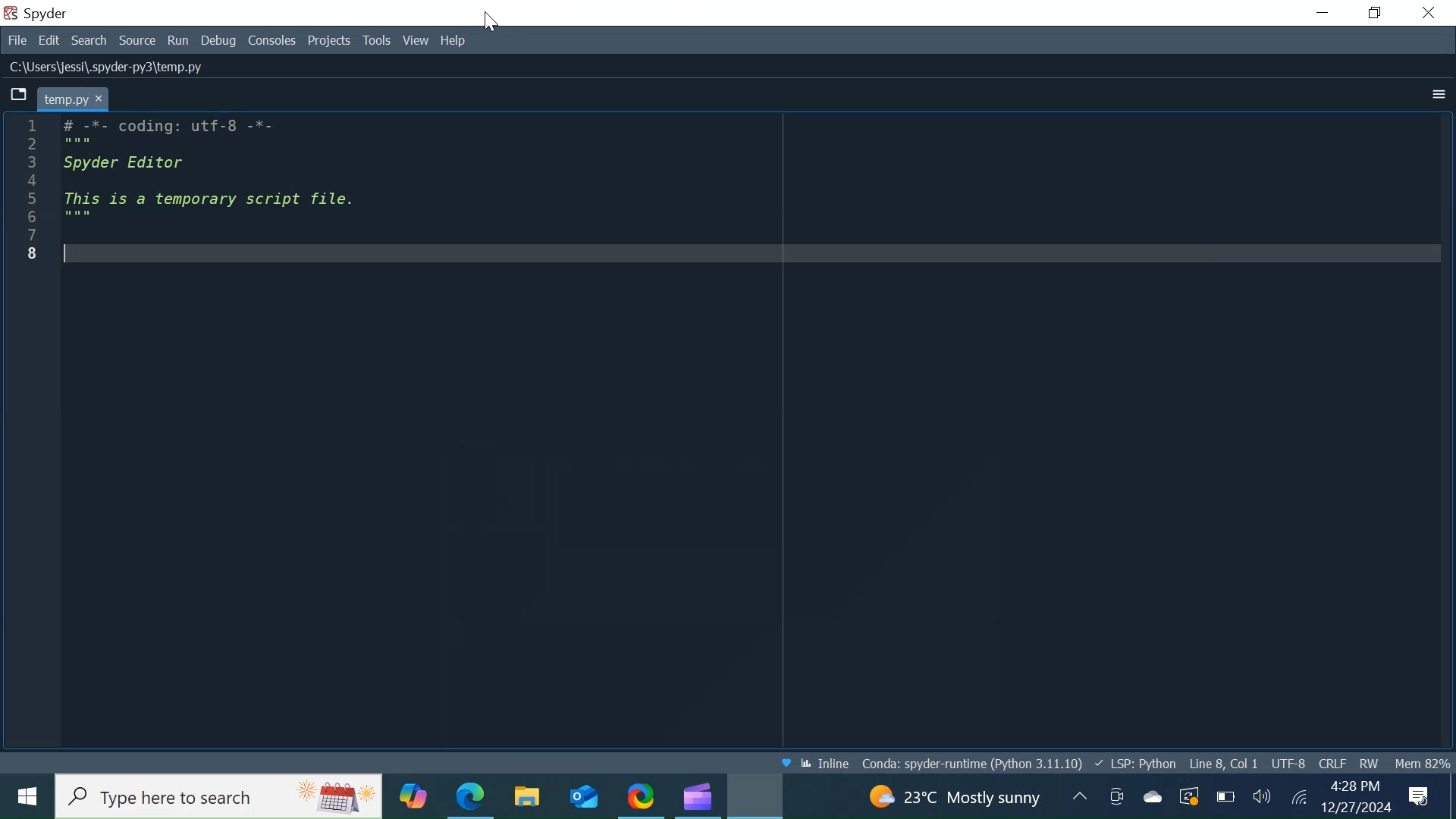  Describe the element at coordinates (1376, 12) in the screenshot. I see `Restore` at that location.